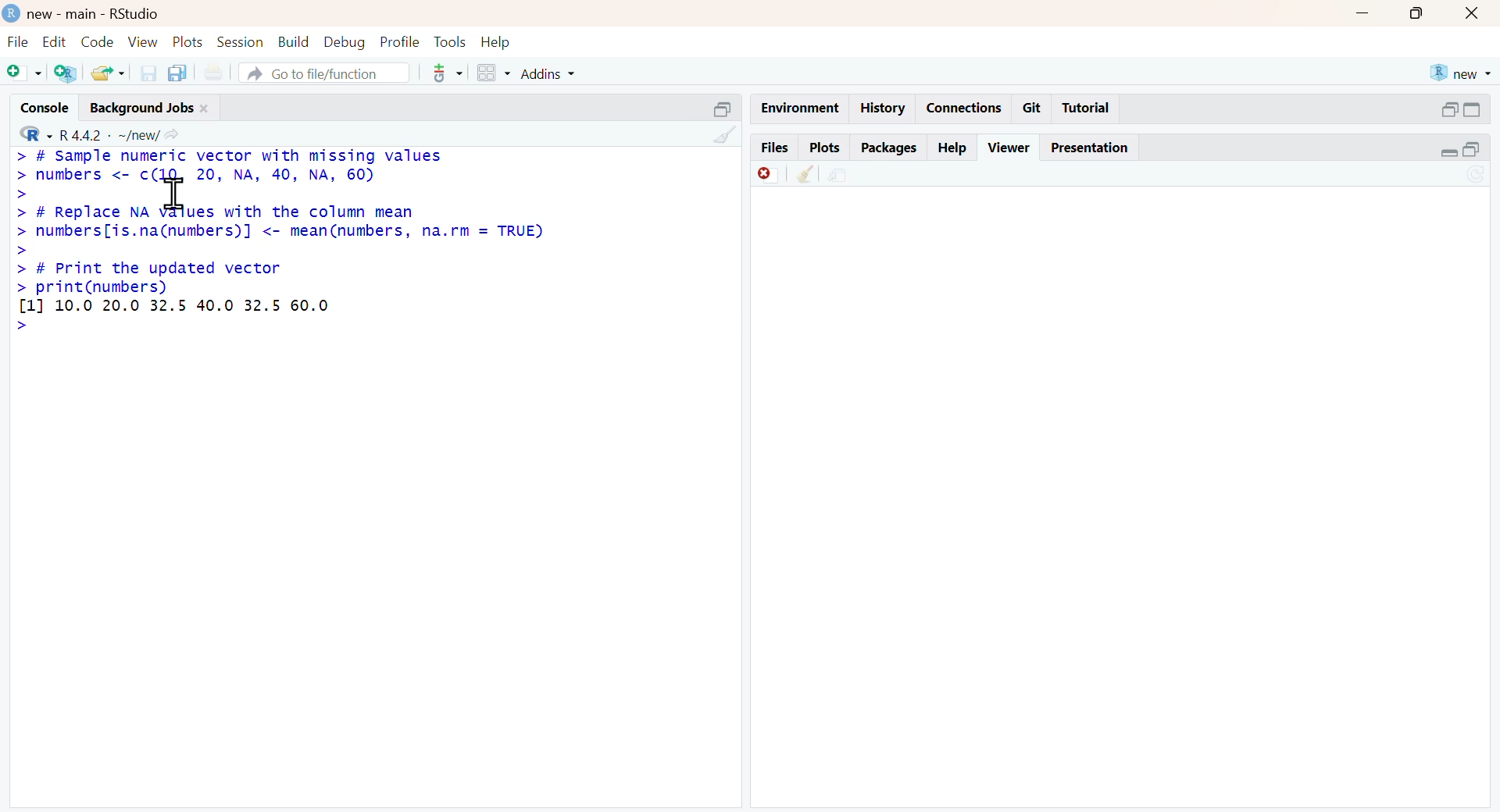  What do you see at coordinates (214, 72) in the screenshot?
I see `print` at bounding box center [214, 72].